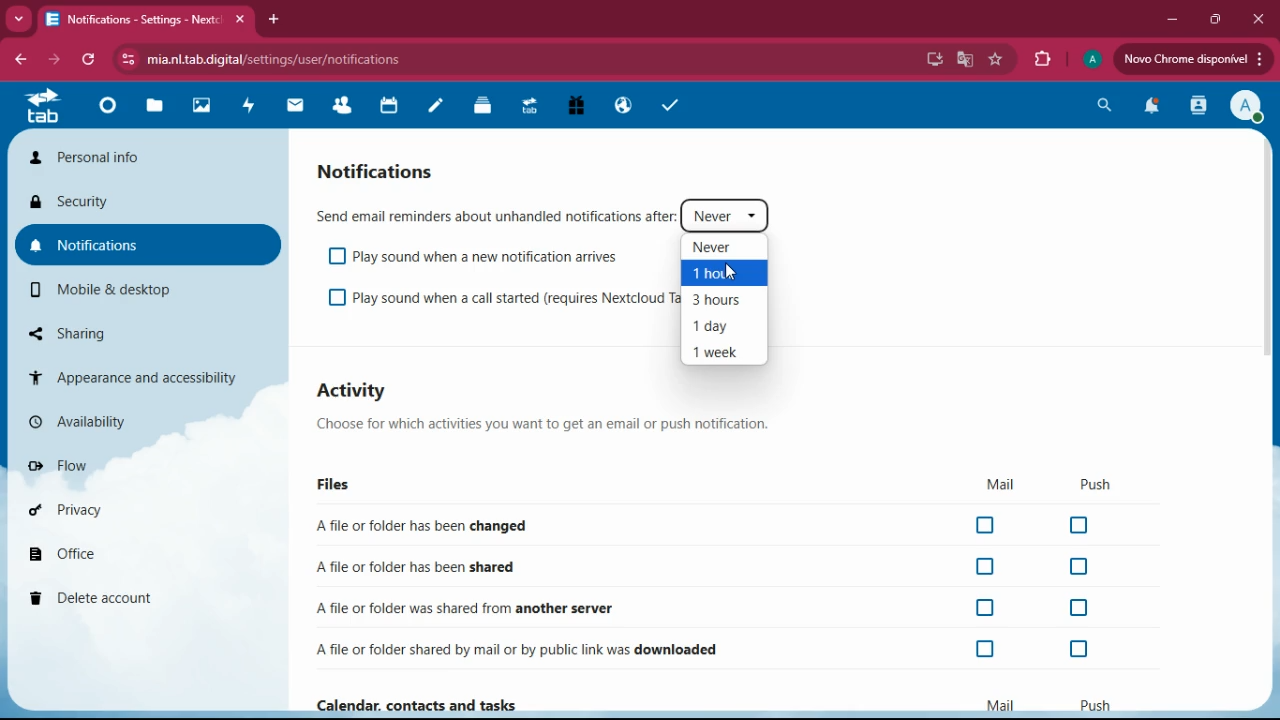 This screenshot has height=720, width=1280. Describe the element at coordinates (298, 106) in the screenshot. I see `mail` at that location.